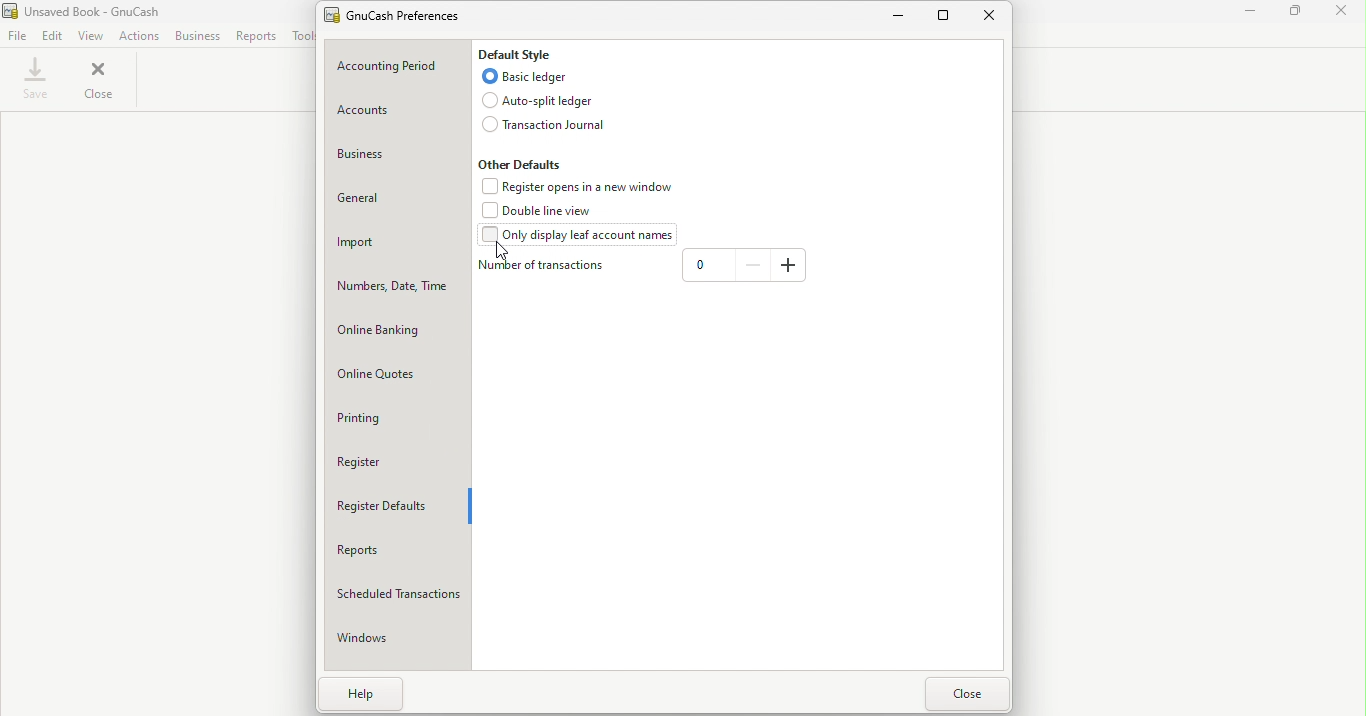  What do you see at coordinates (398, 634) in the screenshot?
I see `Windows` at bounding box center [398, 634].